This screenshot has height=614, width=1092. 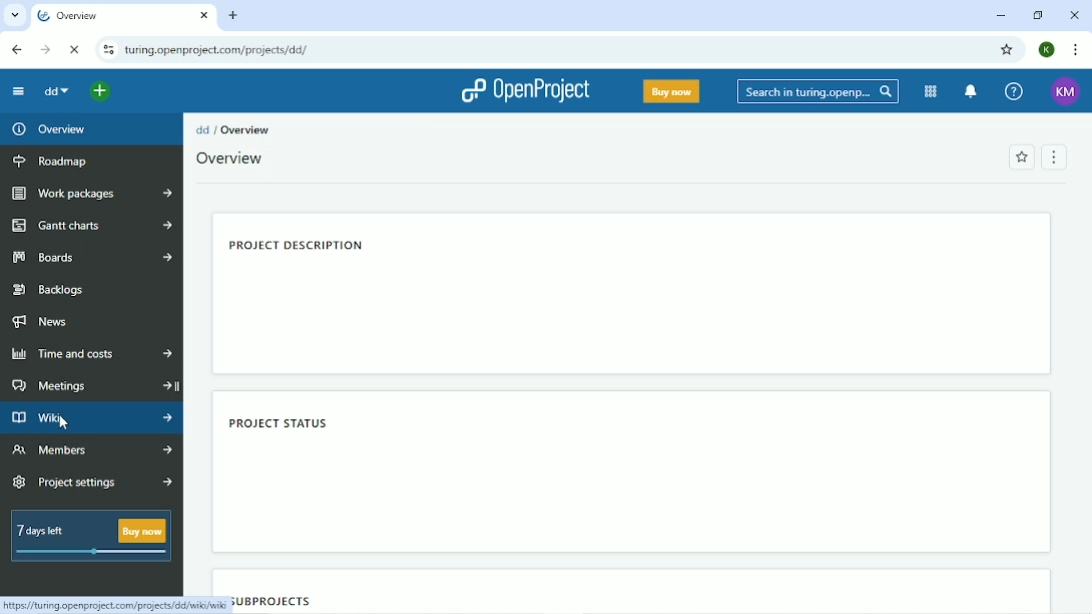 I want to click on Wiki, so click(x=92, y=418).